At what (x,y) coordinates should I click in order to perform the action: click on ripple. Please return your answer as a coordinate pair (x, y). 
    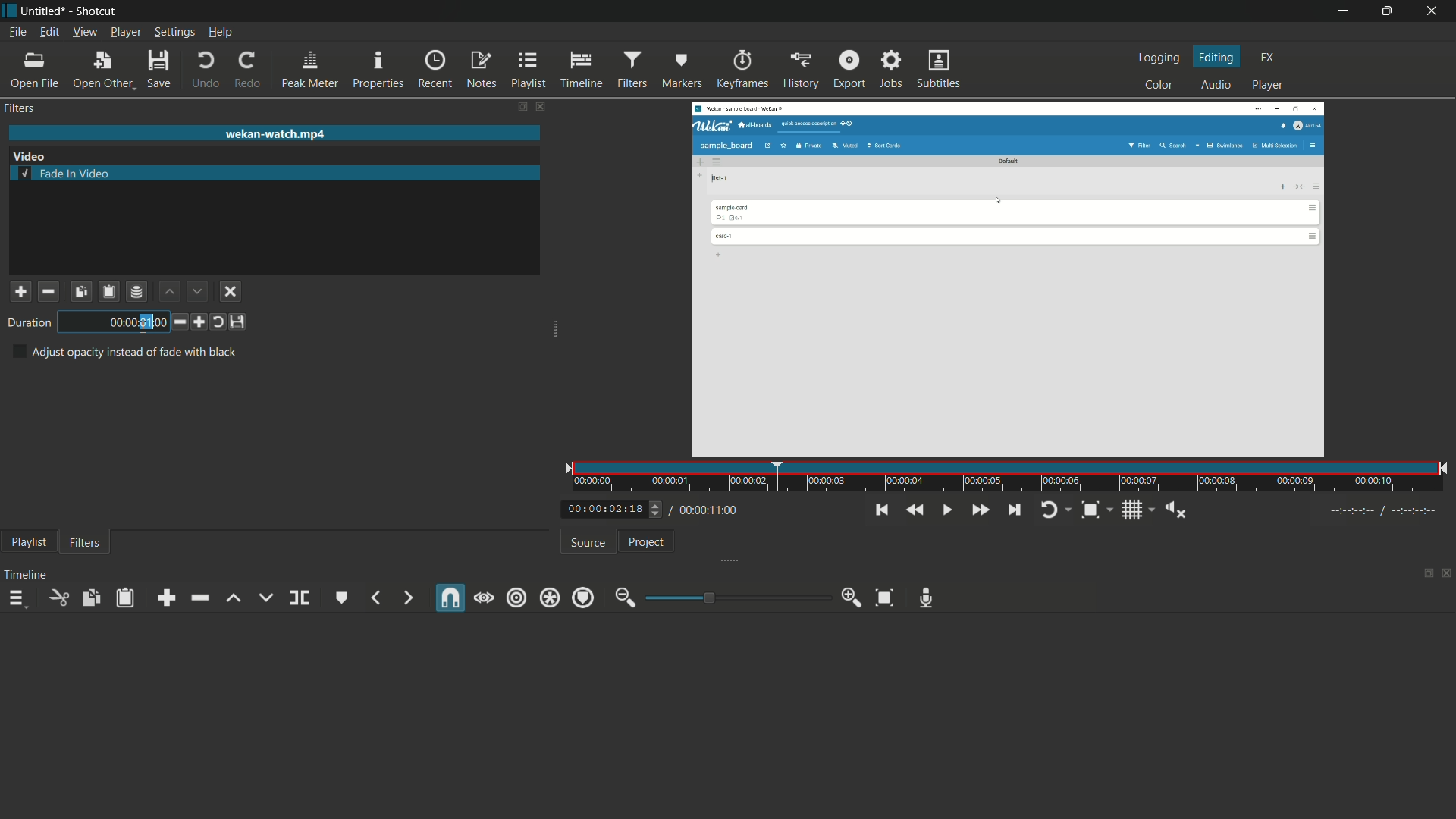
    Looking at the image, I should click on (517, 598).